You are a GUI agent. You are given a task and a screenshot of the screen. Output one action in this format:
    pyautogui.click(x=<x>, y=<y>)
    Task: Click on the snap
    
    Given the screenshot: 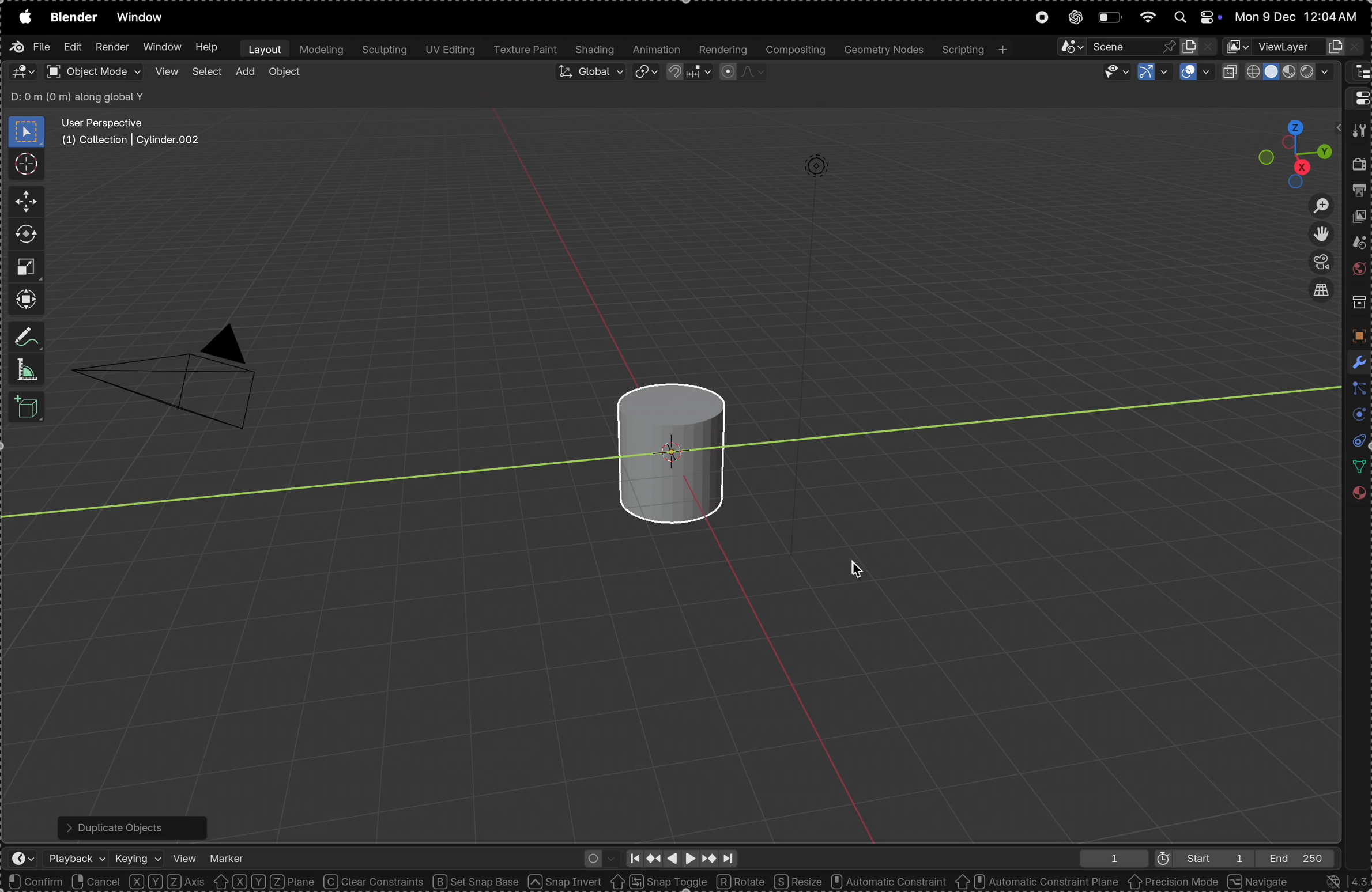 What is the action you would take?
    pyautogui.click(x=687, y=74)
    